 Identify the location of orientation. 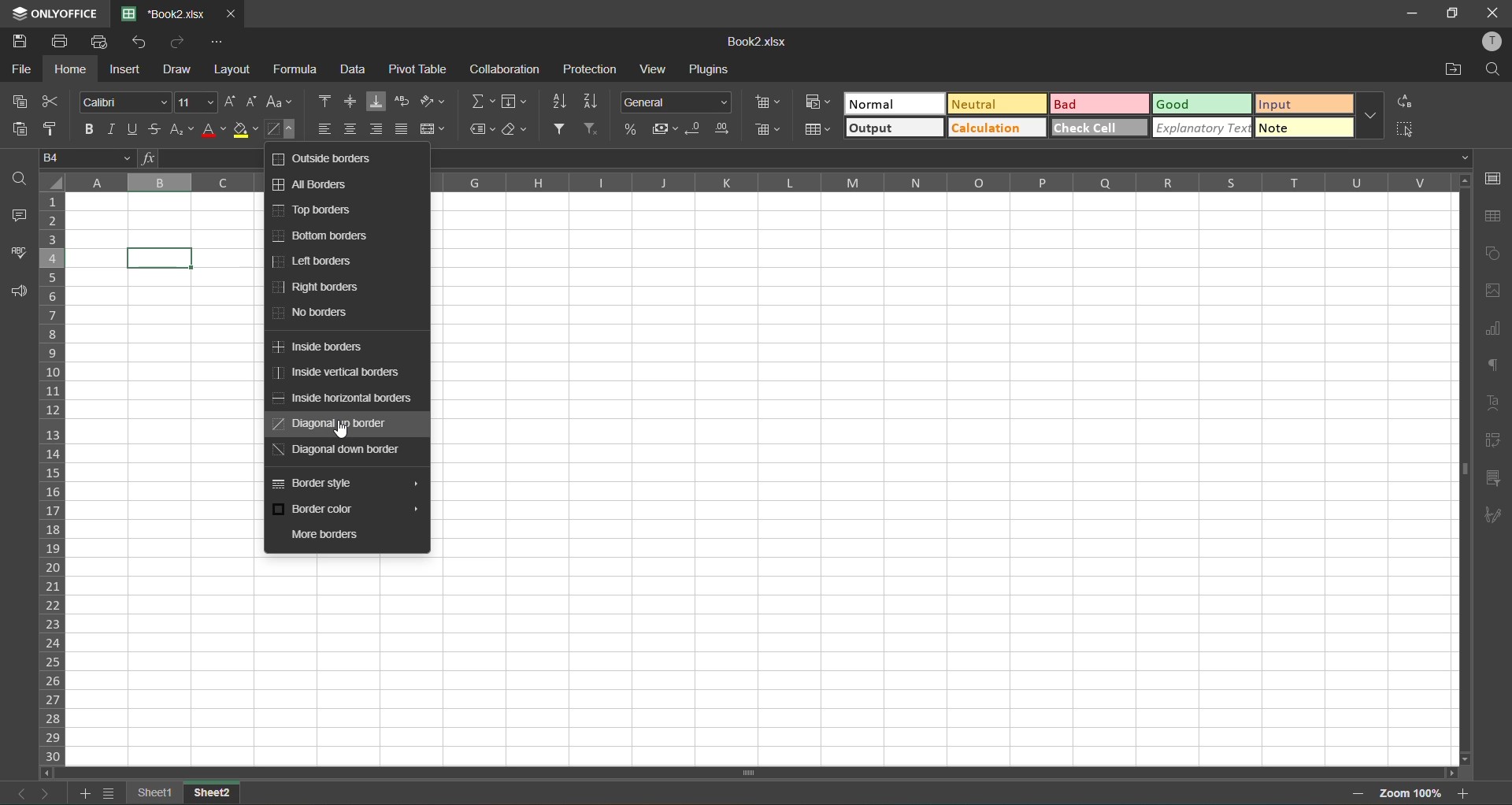
(432, 102).